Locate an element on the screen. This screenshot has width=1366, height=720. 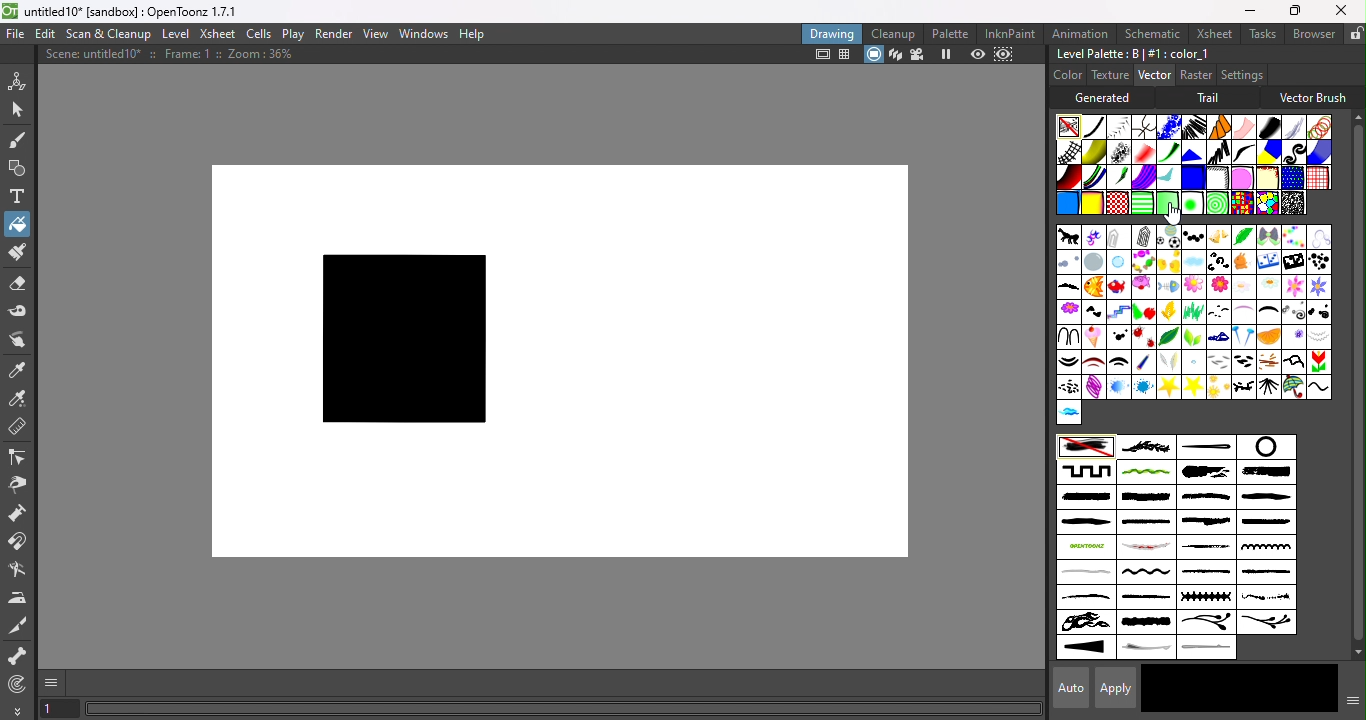
Dashes is located at coordinates (1193, 126).